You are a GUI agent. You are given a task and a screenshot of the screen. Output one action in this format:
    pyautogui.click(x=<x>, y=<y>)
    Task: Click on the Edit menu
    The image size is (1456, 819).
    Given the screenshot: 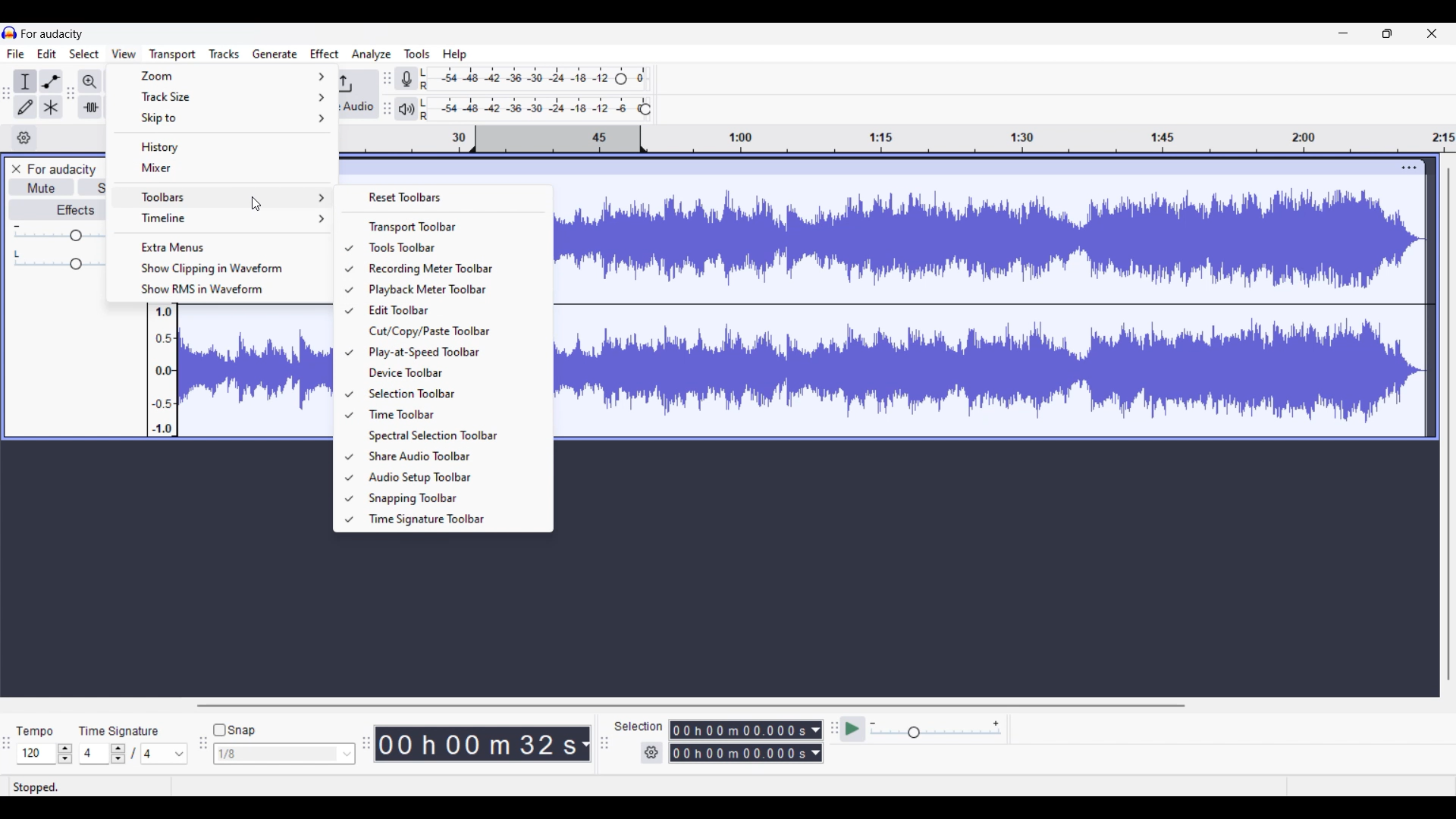 What is the action you would take?
    pyautogui.click(x=47, y=54)
    